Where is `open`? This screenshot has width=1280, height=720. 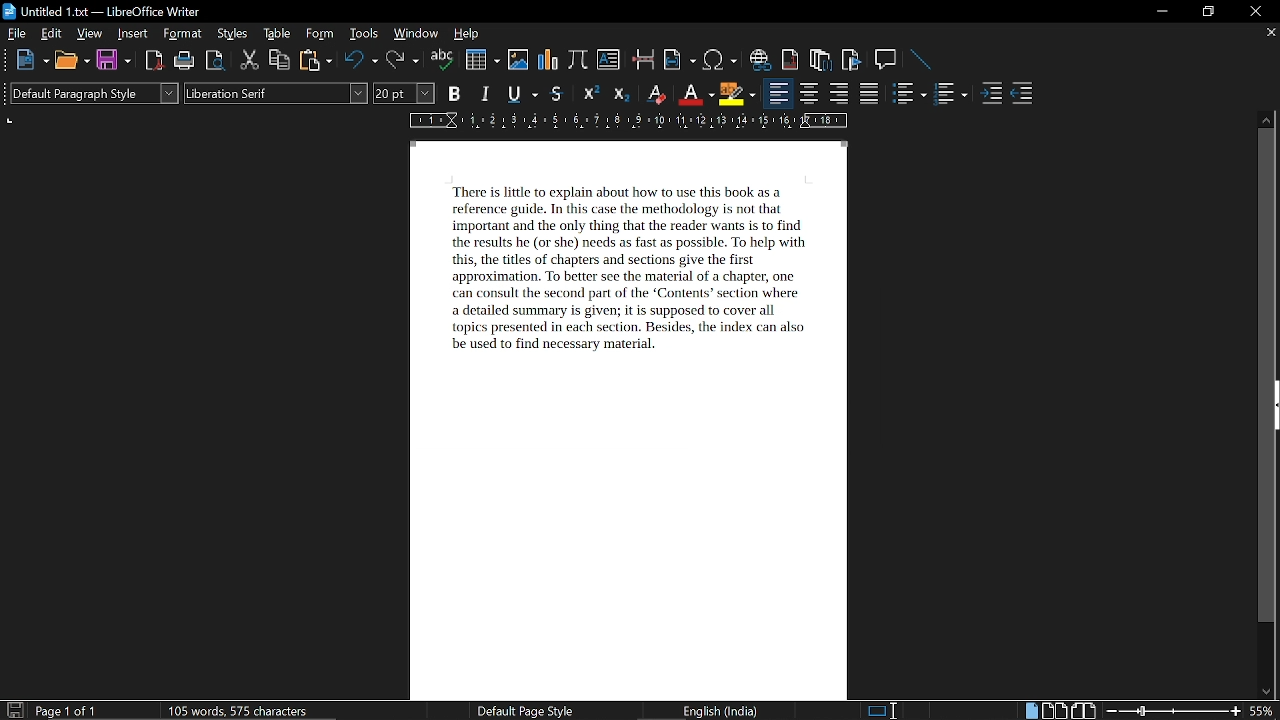
open is located at coordinates (70, 60).